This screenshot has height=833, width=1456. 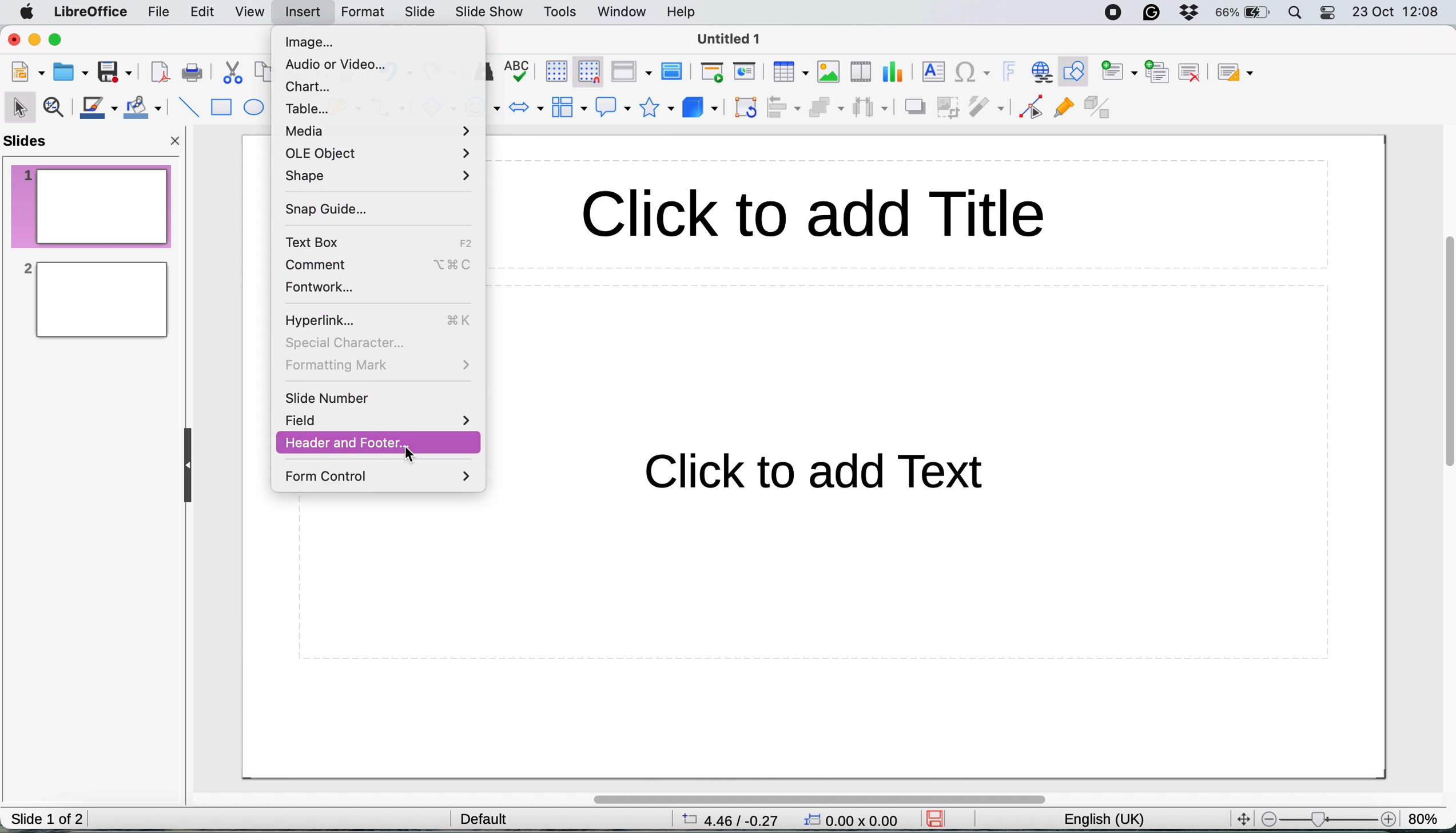 I want to click on insert audio video, so click(x=864, y=70).